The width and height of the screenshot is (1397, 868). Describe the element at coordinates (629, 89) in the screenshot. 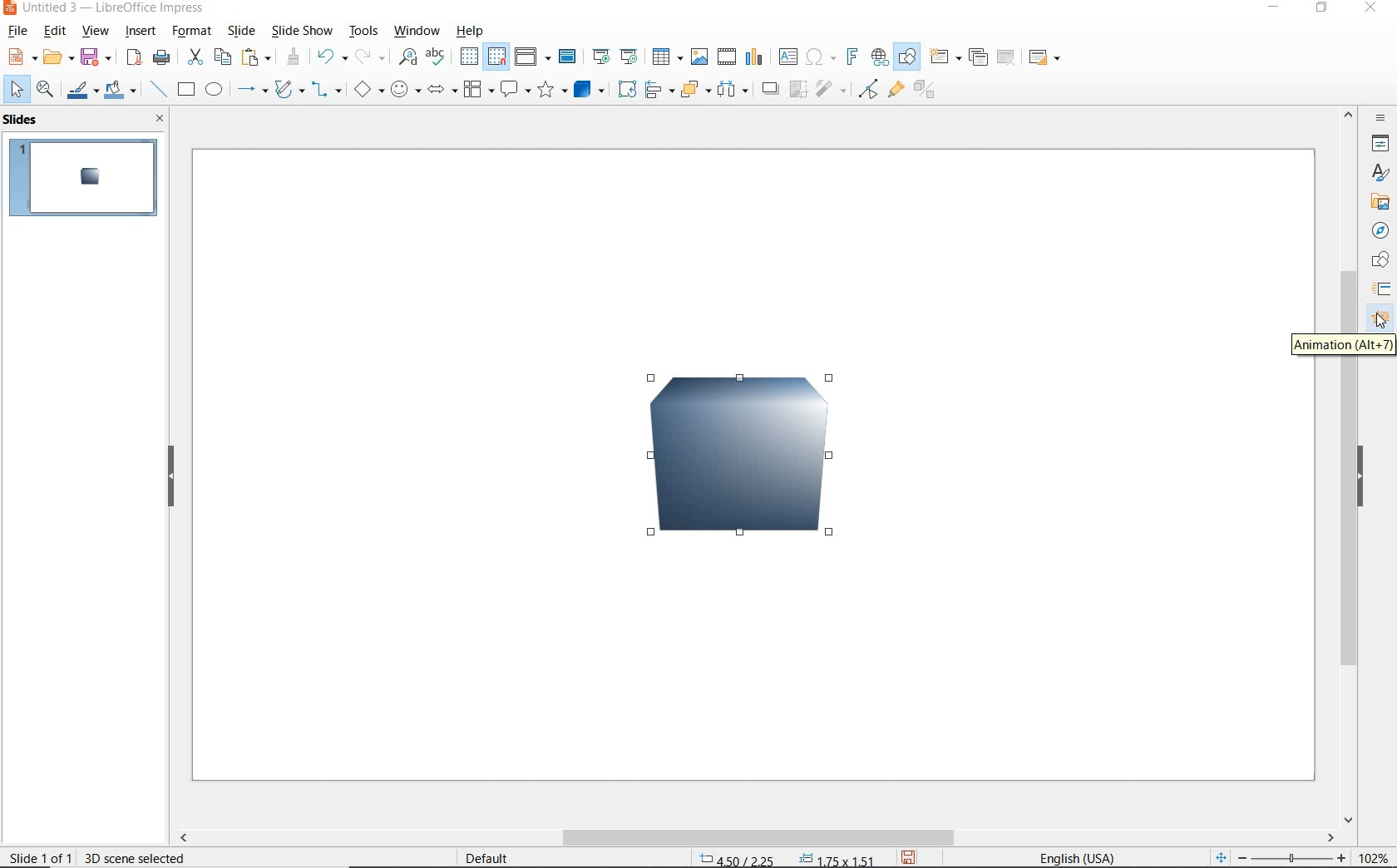

I see `rotate` at that location.